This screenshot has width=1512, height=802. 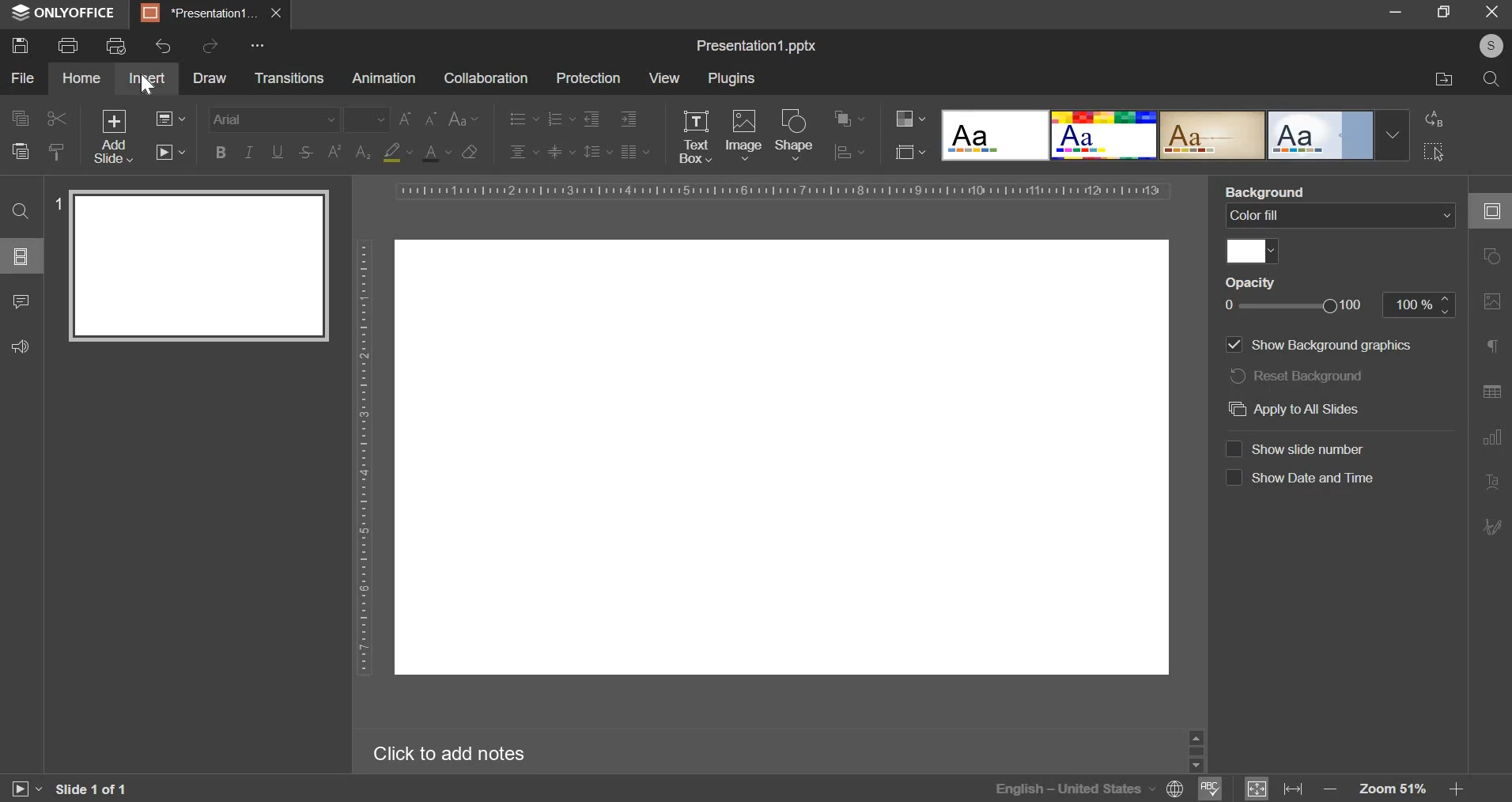 What do you see at coordinates (80, 78) in the screenshot?
I see `home` at bounding box center [80, 78].